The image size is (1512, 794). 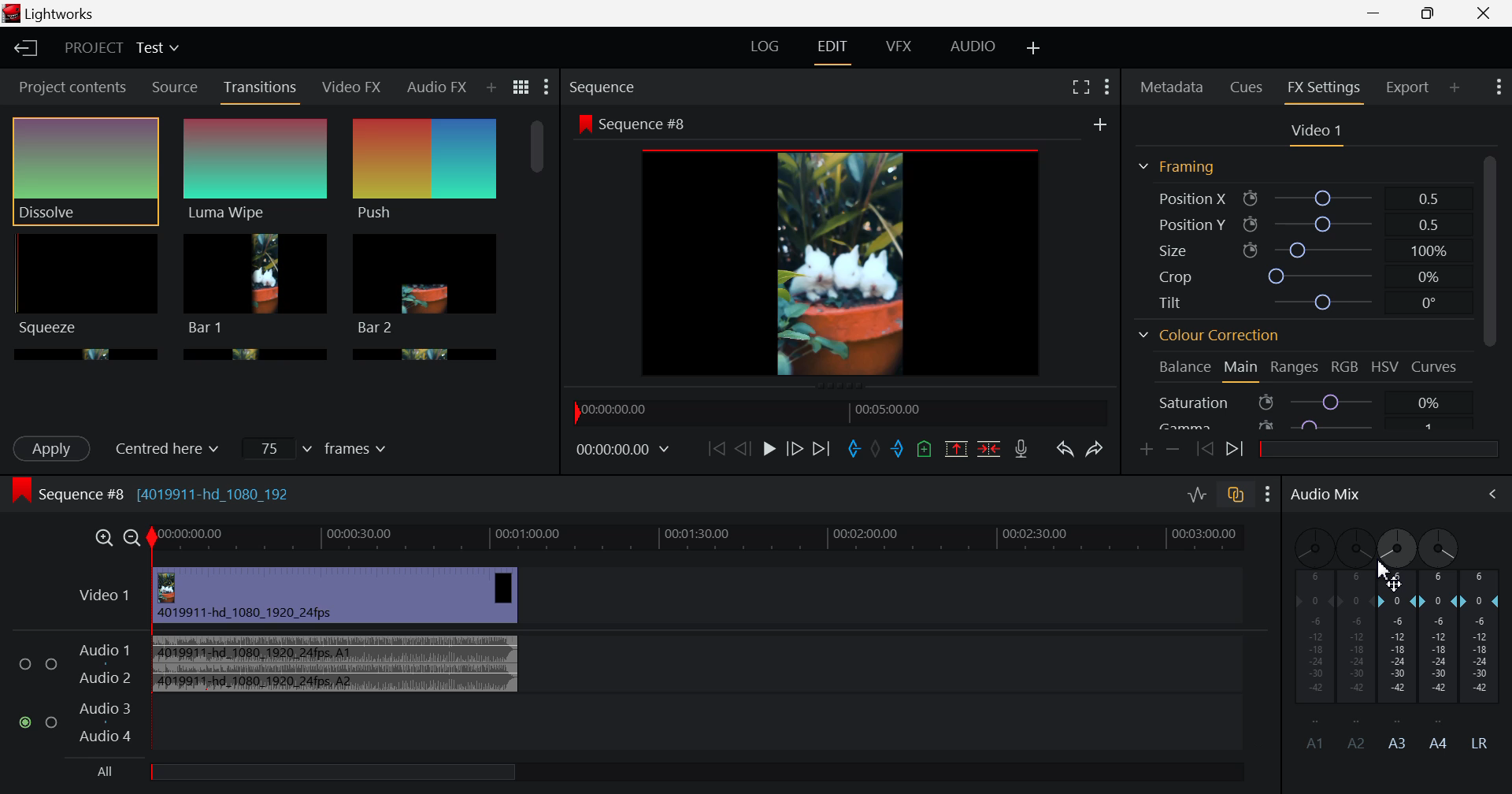 What do you see at coordinates (1356, 637) in the screenshot?
I see `A2 Channel Disabled` at bounding box center [1356, 637].